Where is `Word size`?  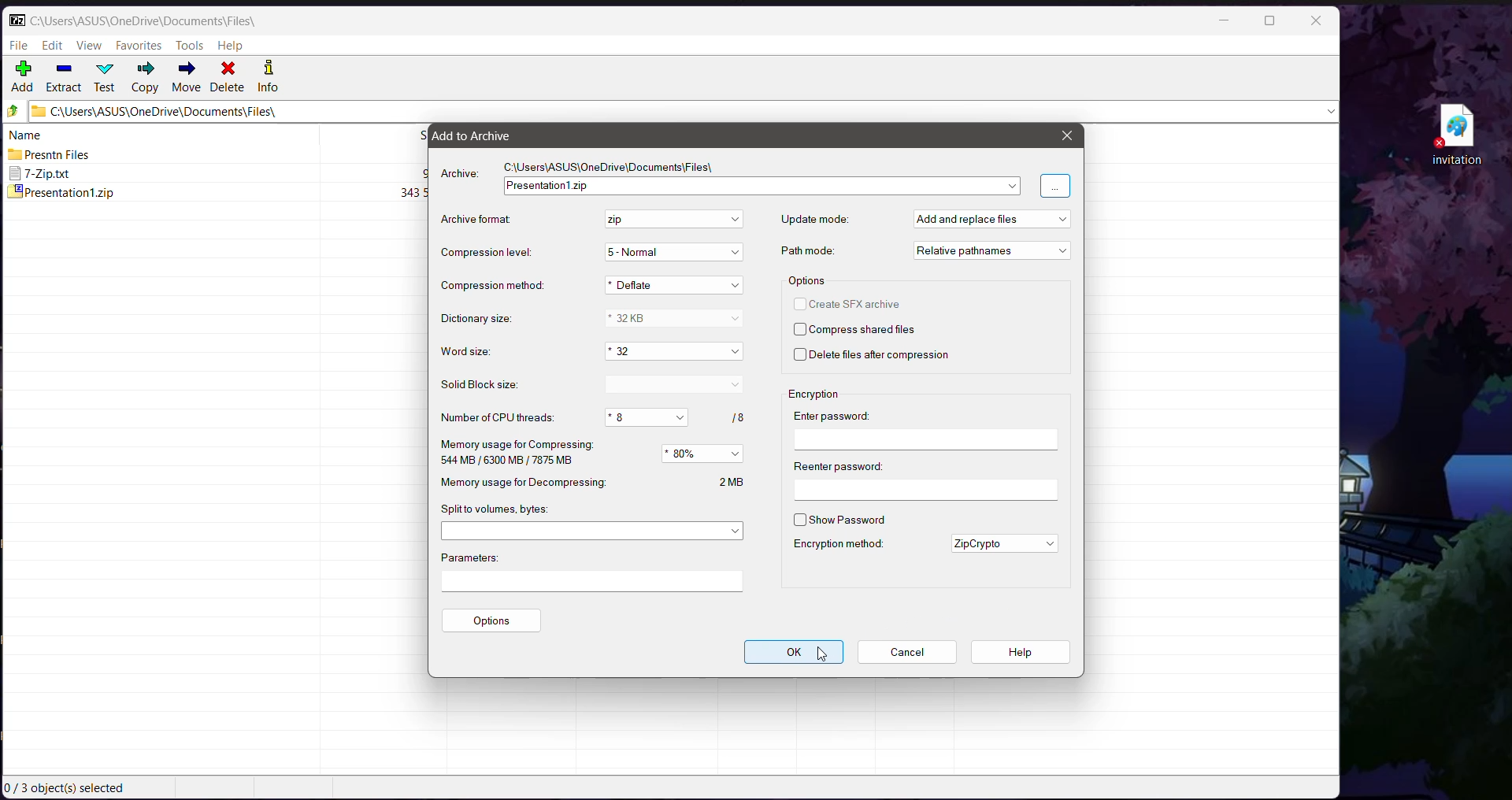 Word size is located at coordinates (472, 352).